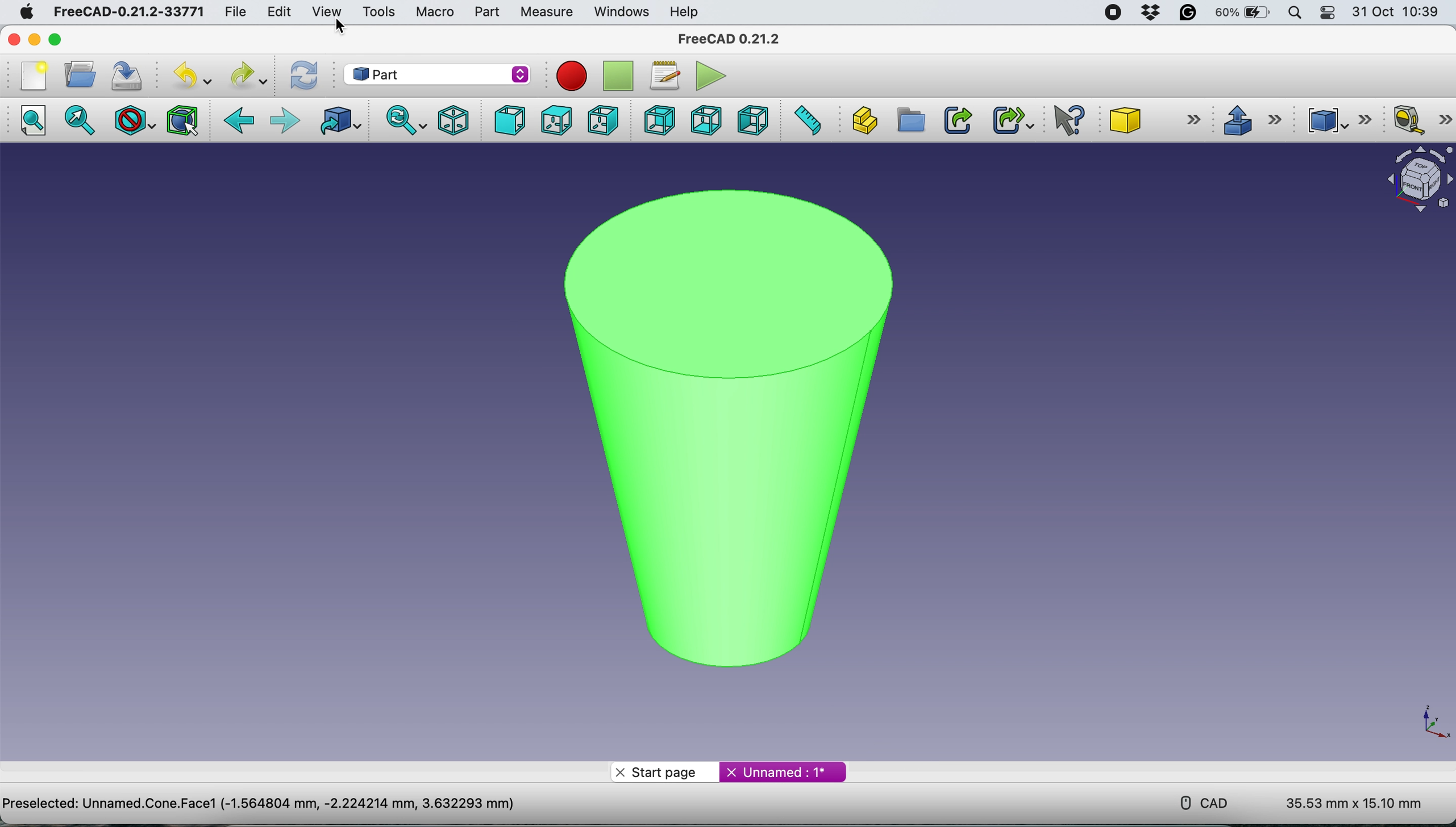 The height and width of the screenshot is (827, 1456). What do you see at coordinates (546, 12) in the screenshot?
I see `measure` at bounding box center [546, 12].